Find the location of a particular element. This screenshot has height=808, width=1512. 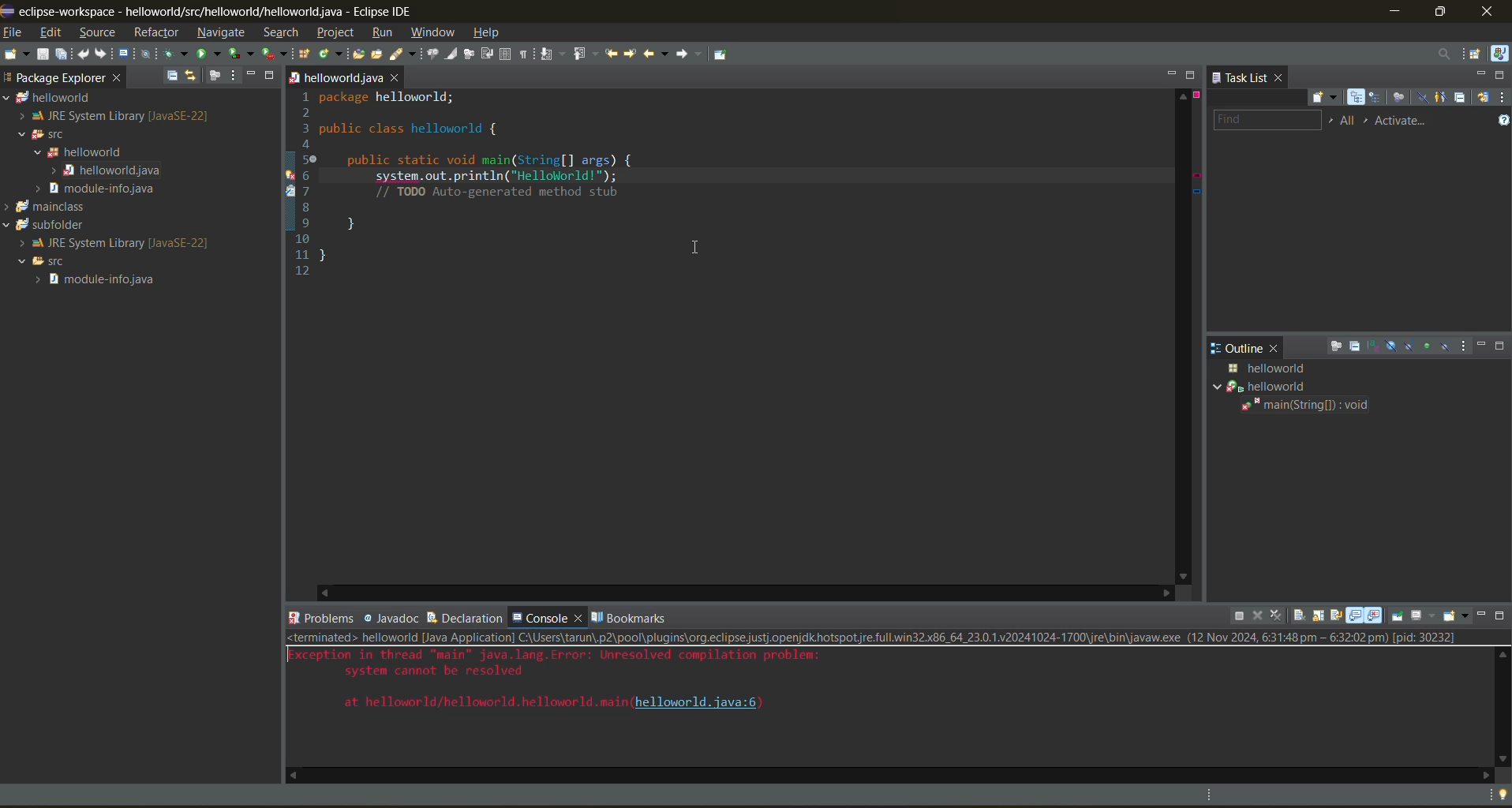

open type is located at coordinates (360, 54).